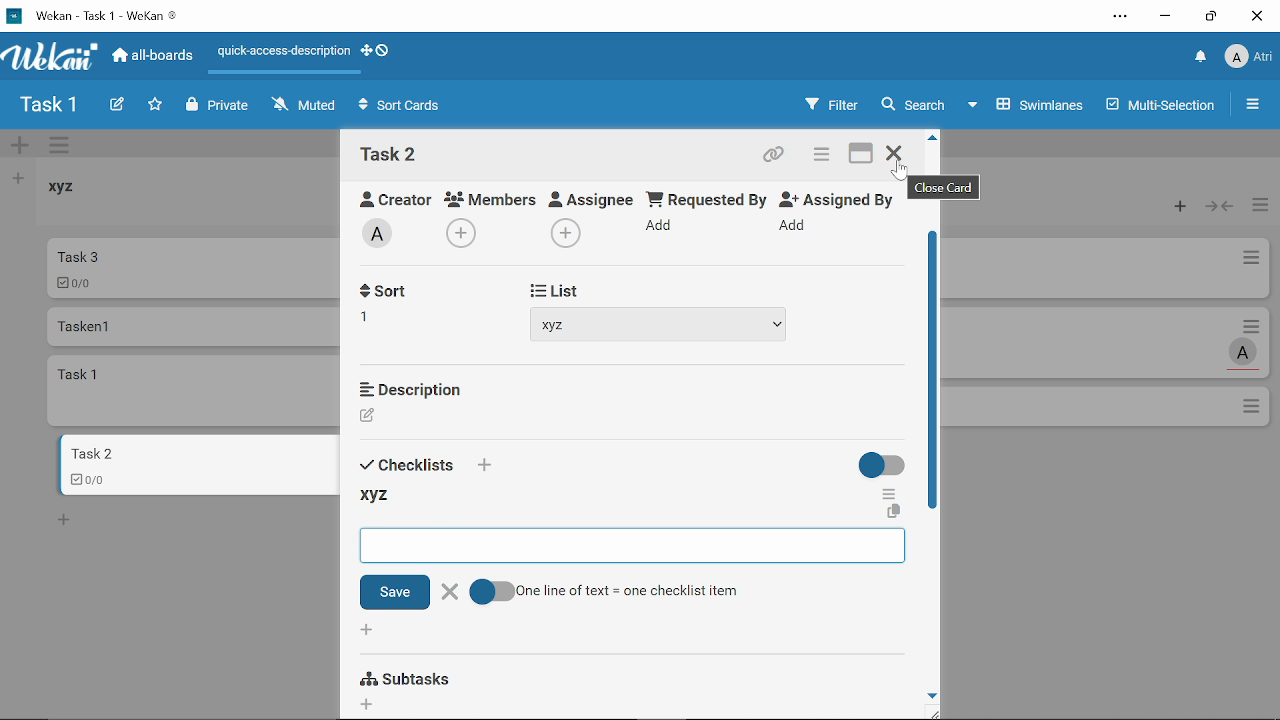  I want to click on Add, so click(464, 231).